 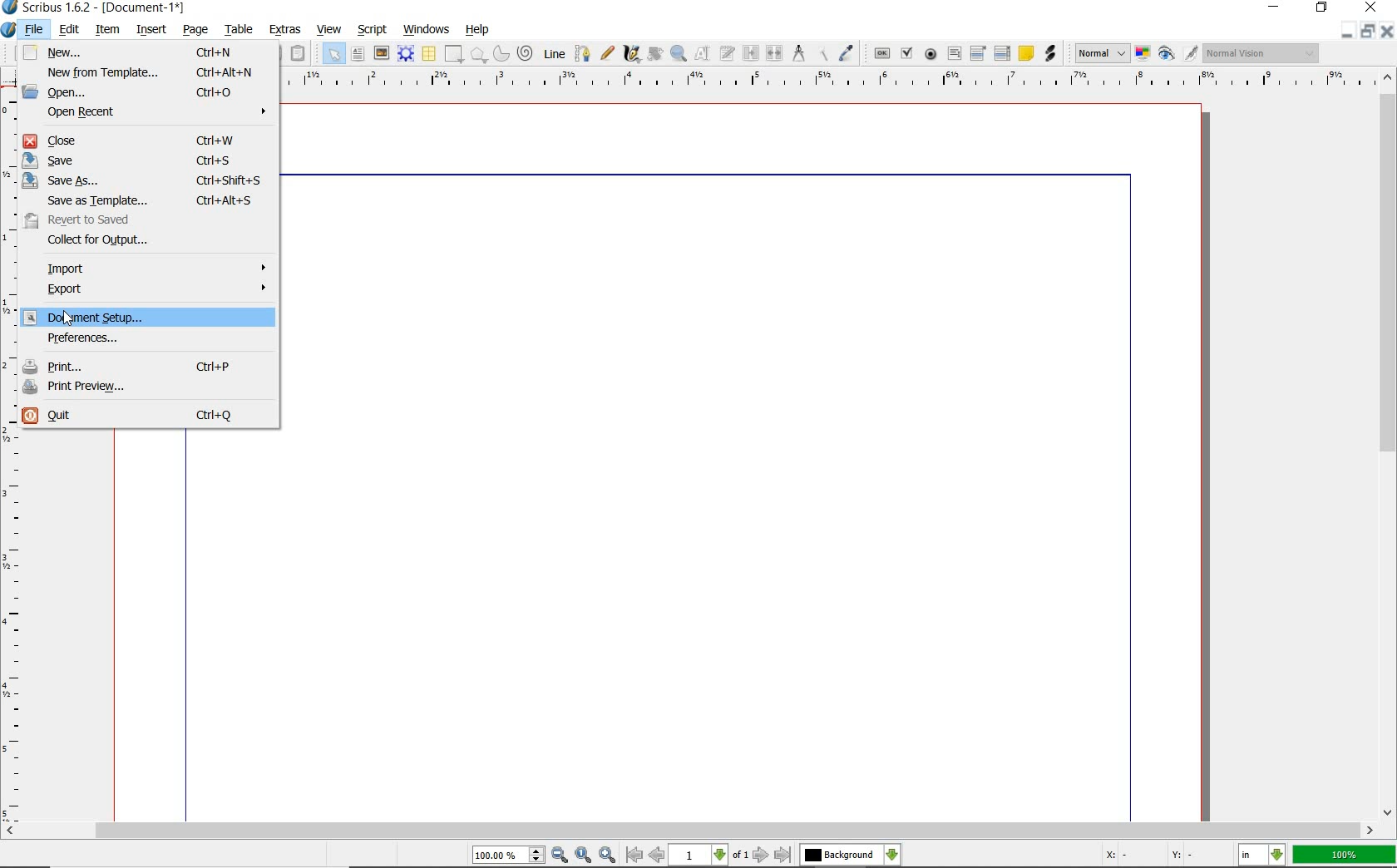 I want to click on arc, so click(x=501, y=53).